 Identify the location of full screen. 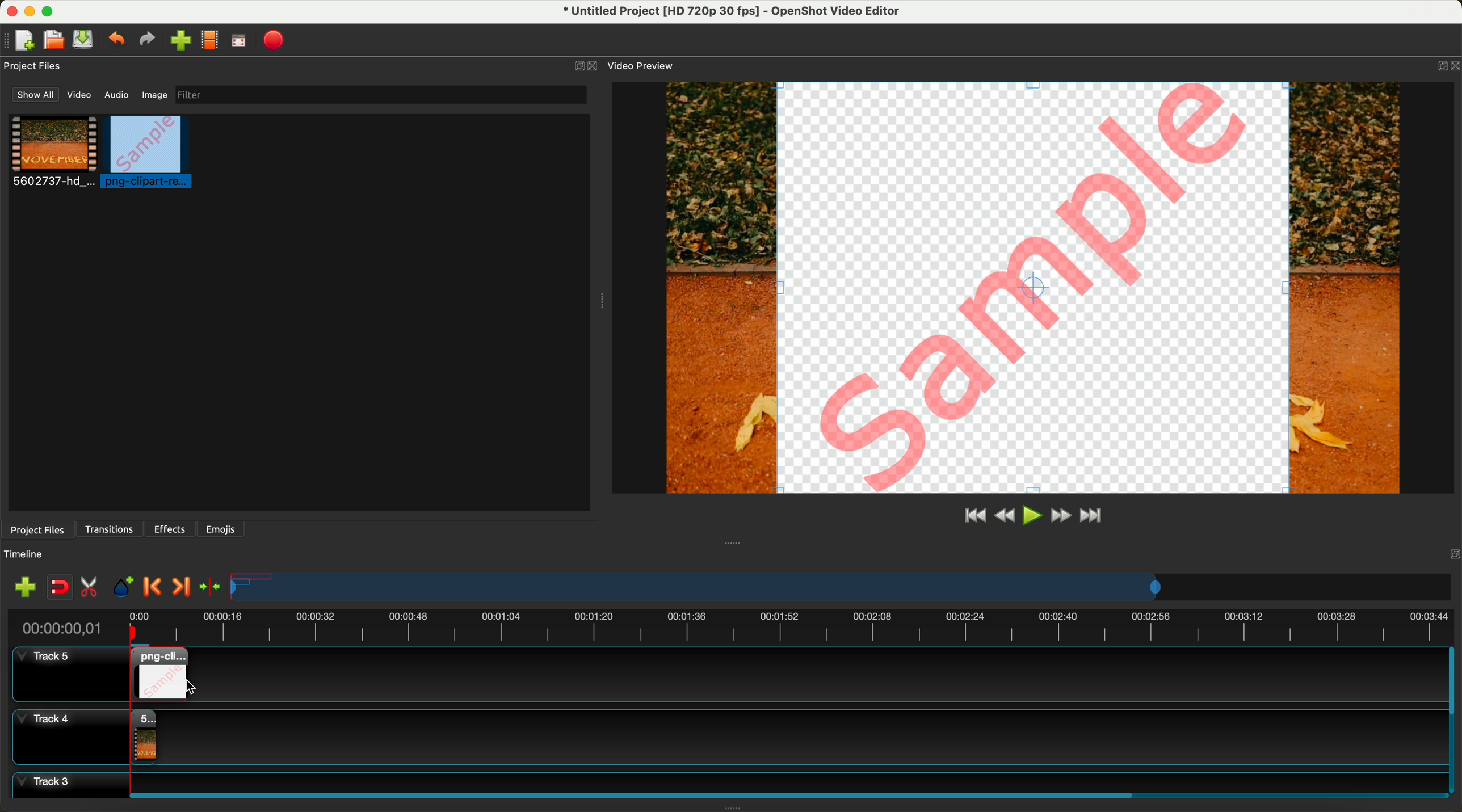
(240, 43).